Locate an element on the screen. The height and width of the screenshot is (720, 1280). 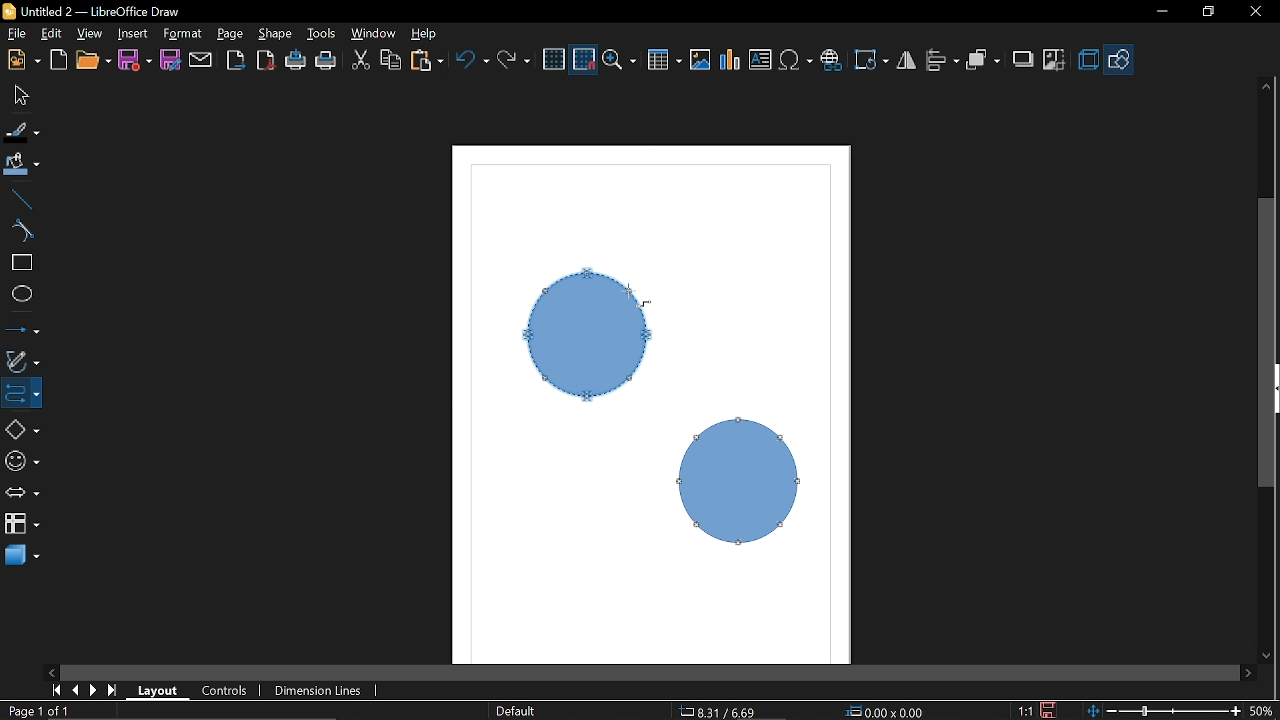
rectangle is located at coordinates (19, 262).